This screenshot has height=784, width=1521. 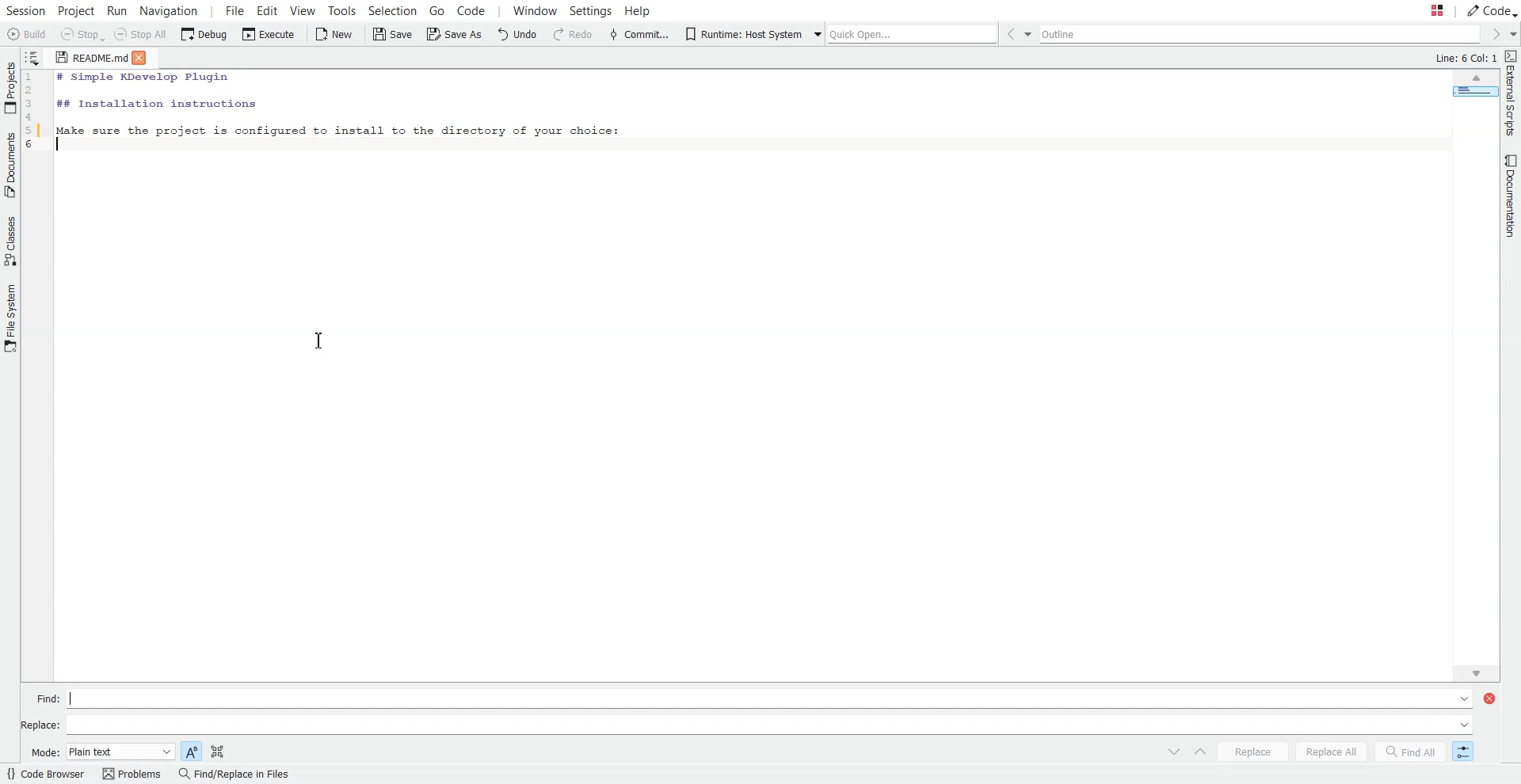 I want to click on Text Cursor, so click(x=62, y=146).